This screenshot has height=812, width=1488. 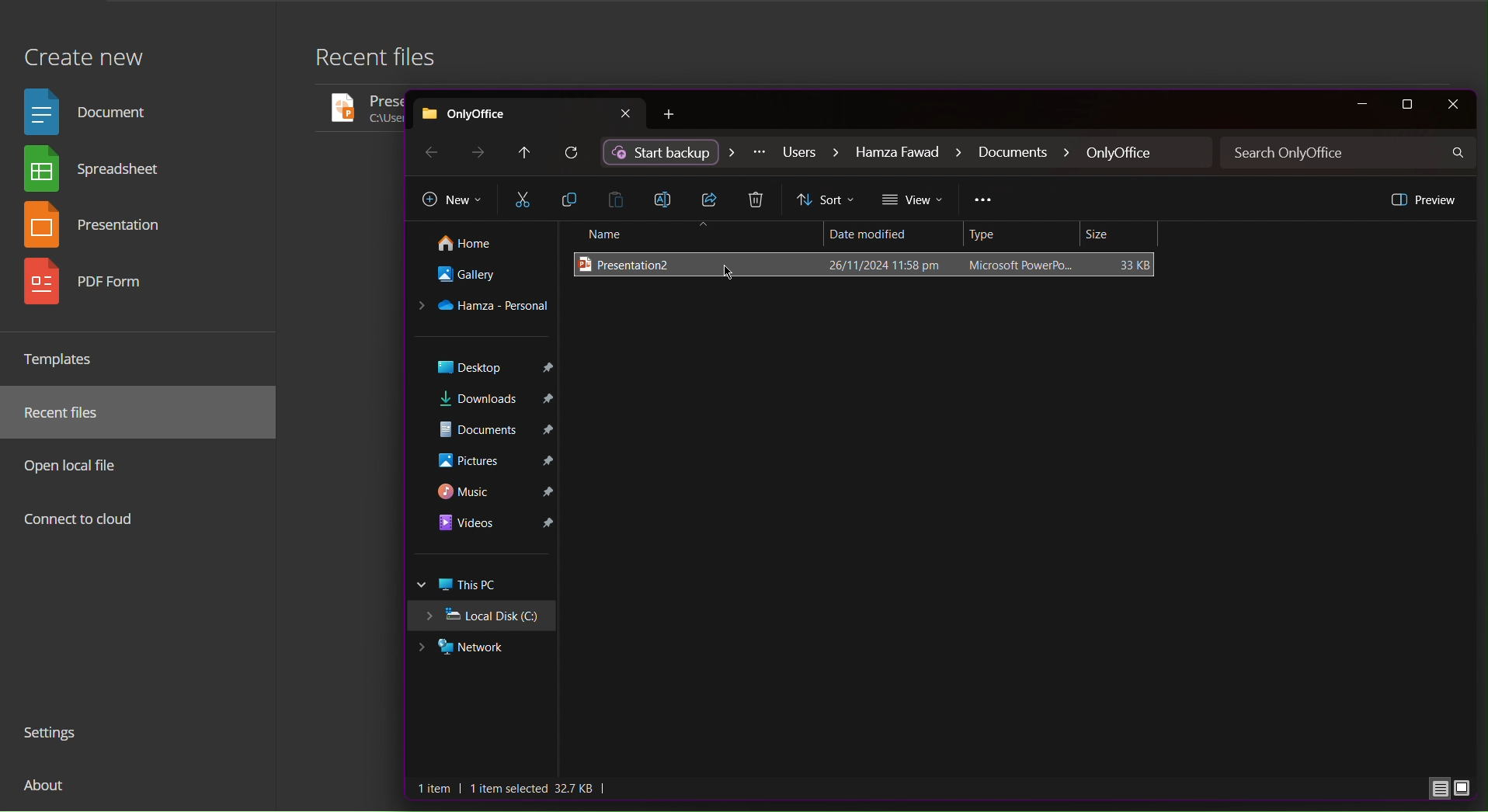 What do you see at coordinates (729, 277) in the screenshot?
I see `cursor` at bounding box center [729, 277].